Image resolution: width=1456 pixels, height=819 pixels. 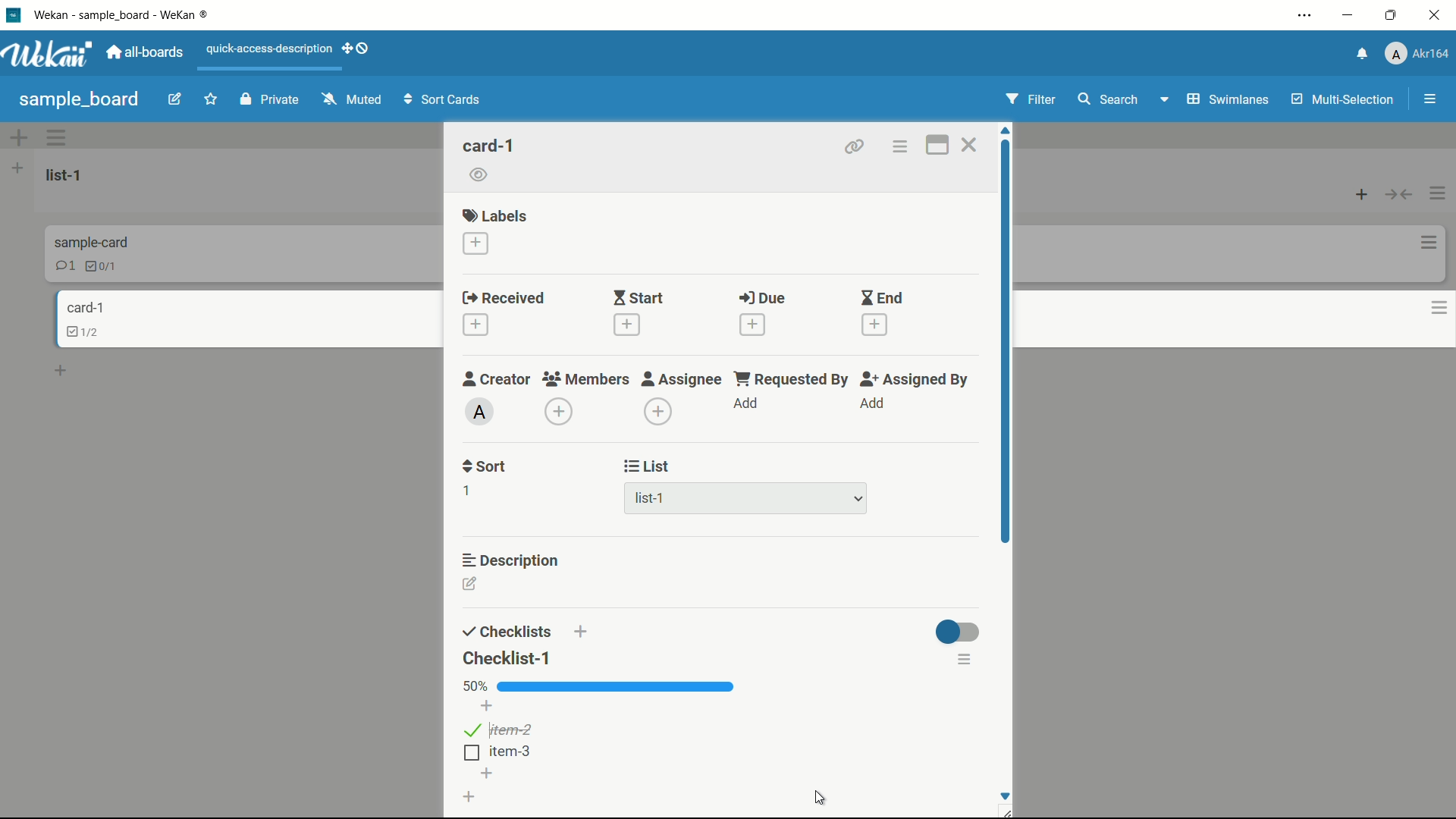 I want to click on open or close sidebar, so click(x=1426, y=99).